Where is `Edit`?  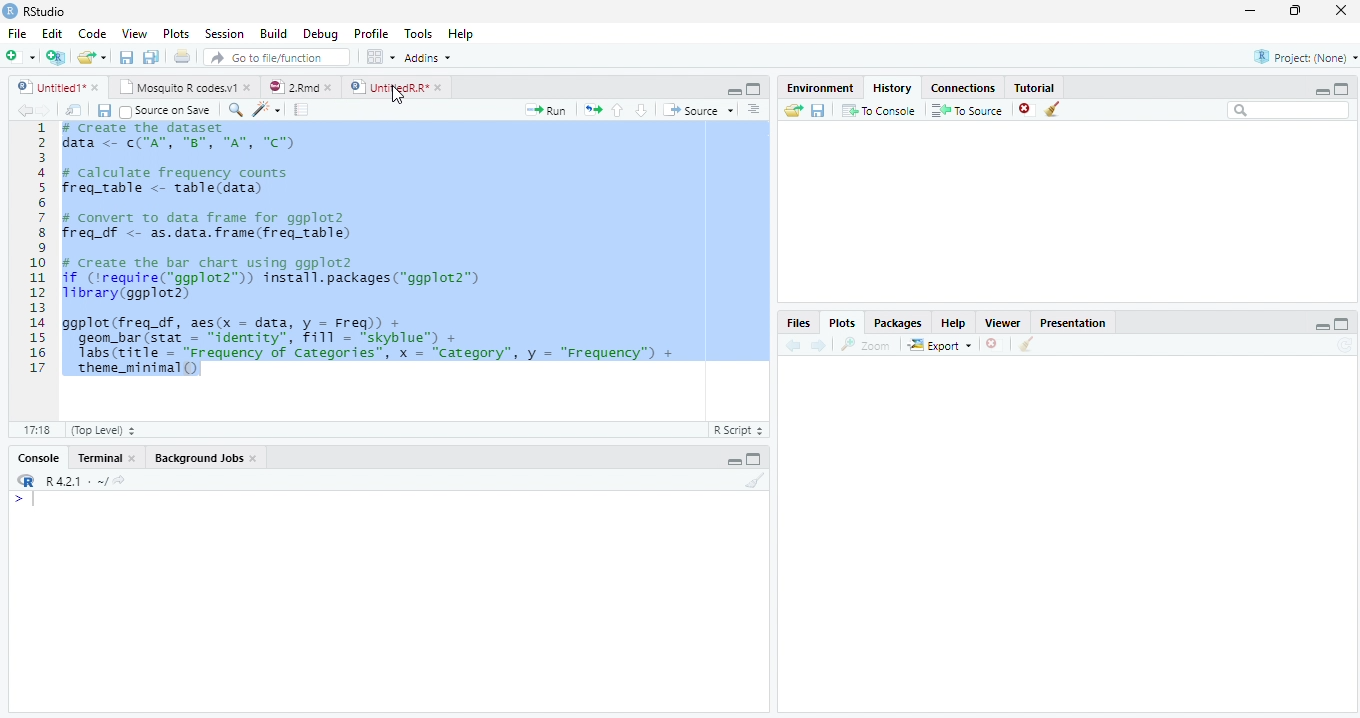 Edit is located at coordinates (52, 35).